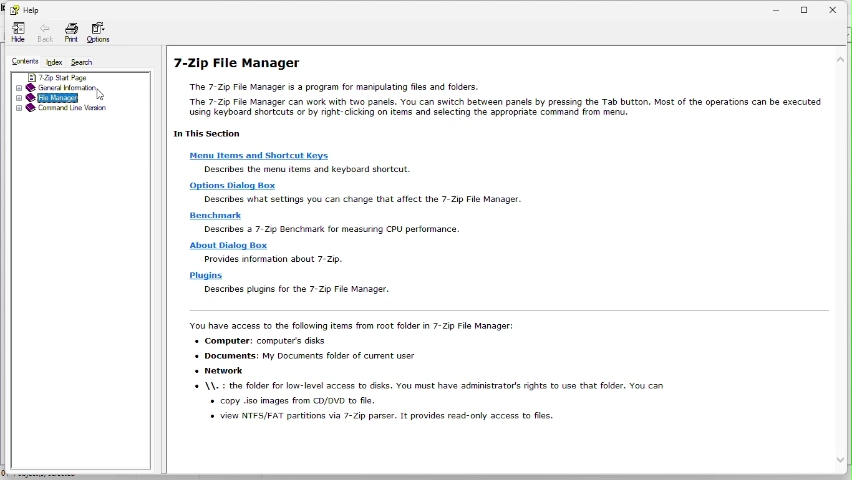 The width and height of the screenshot is (852, 480). What do you see at coordinates (309, 291) in the screenshot?
I see `describes plugins for the 7-Zip File Manager` at bounding box center [309, 291].